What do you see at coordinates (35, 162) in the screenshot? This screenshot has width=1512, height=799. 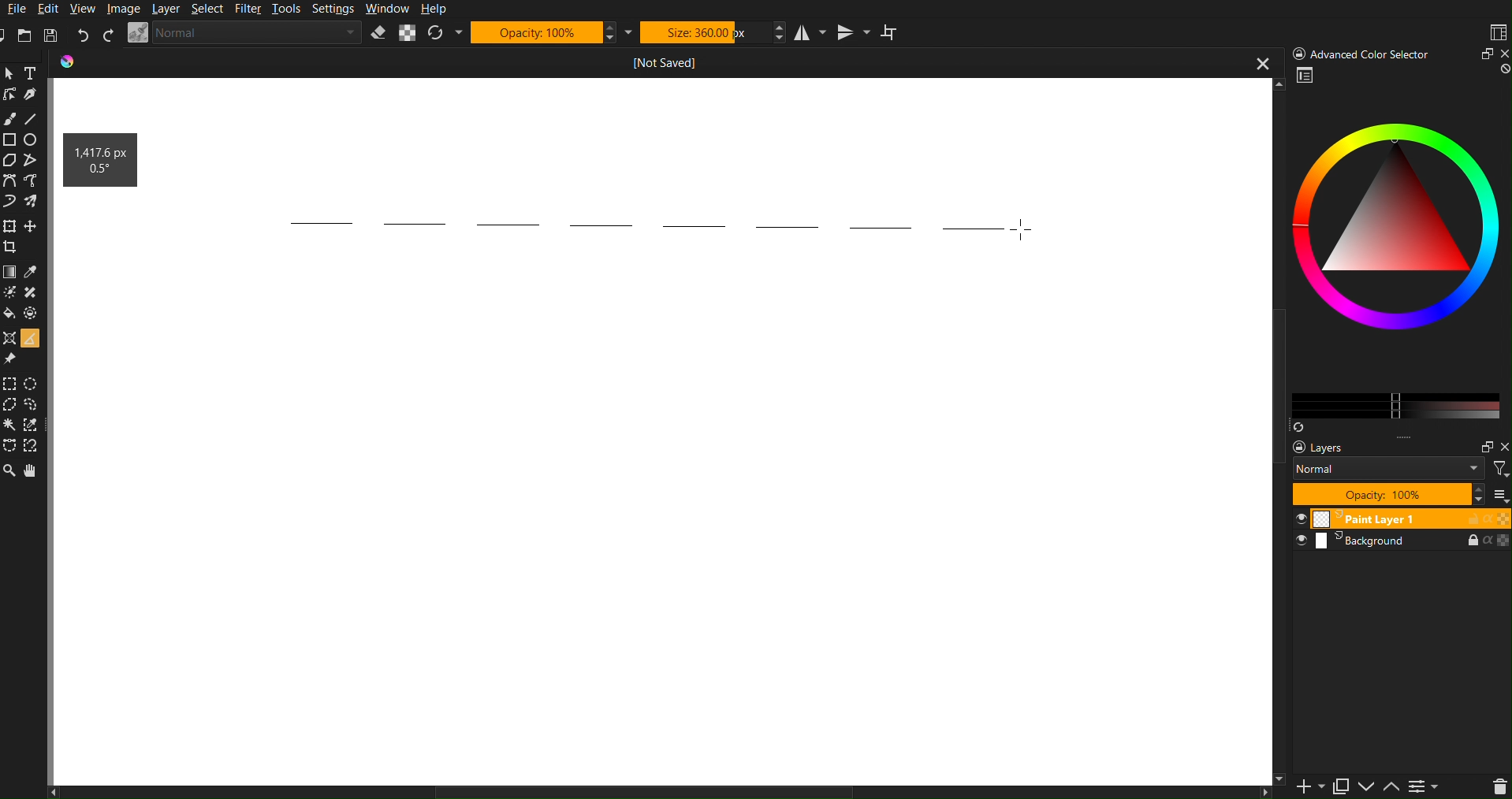 I see `Straight Line` at bounding box center [35, 162].